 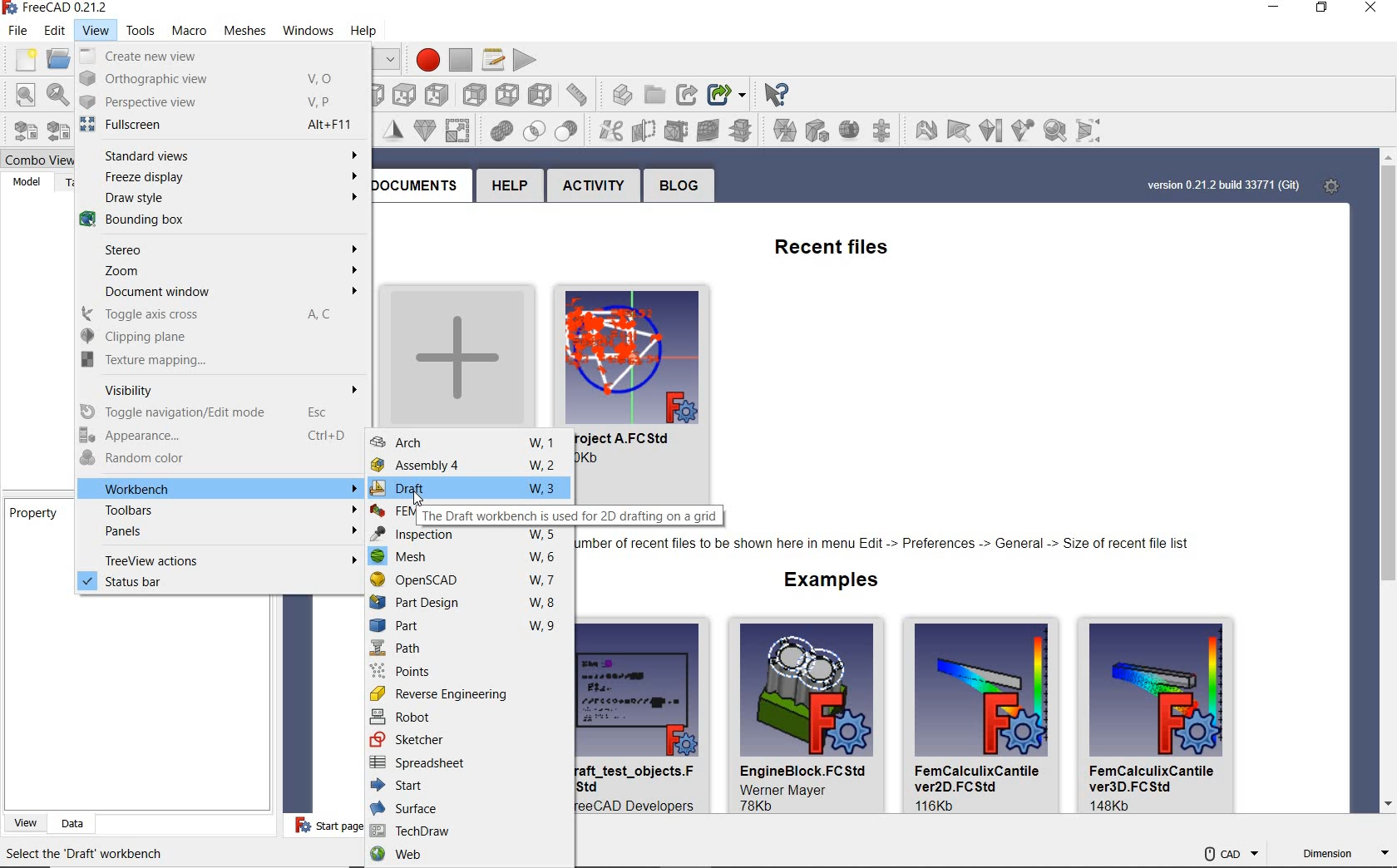 I want to click on start page, so click(x=318, y=826).